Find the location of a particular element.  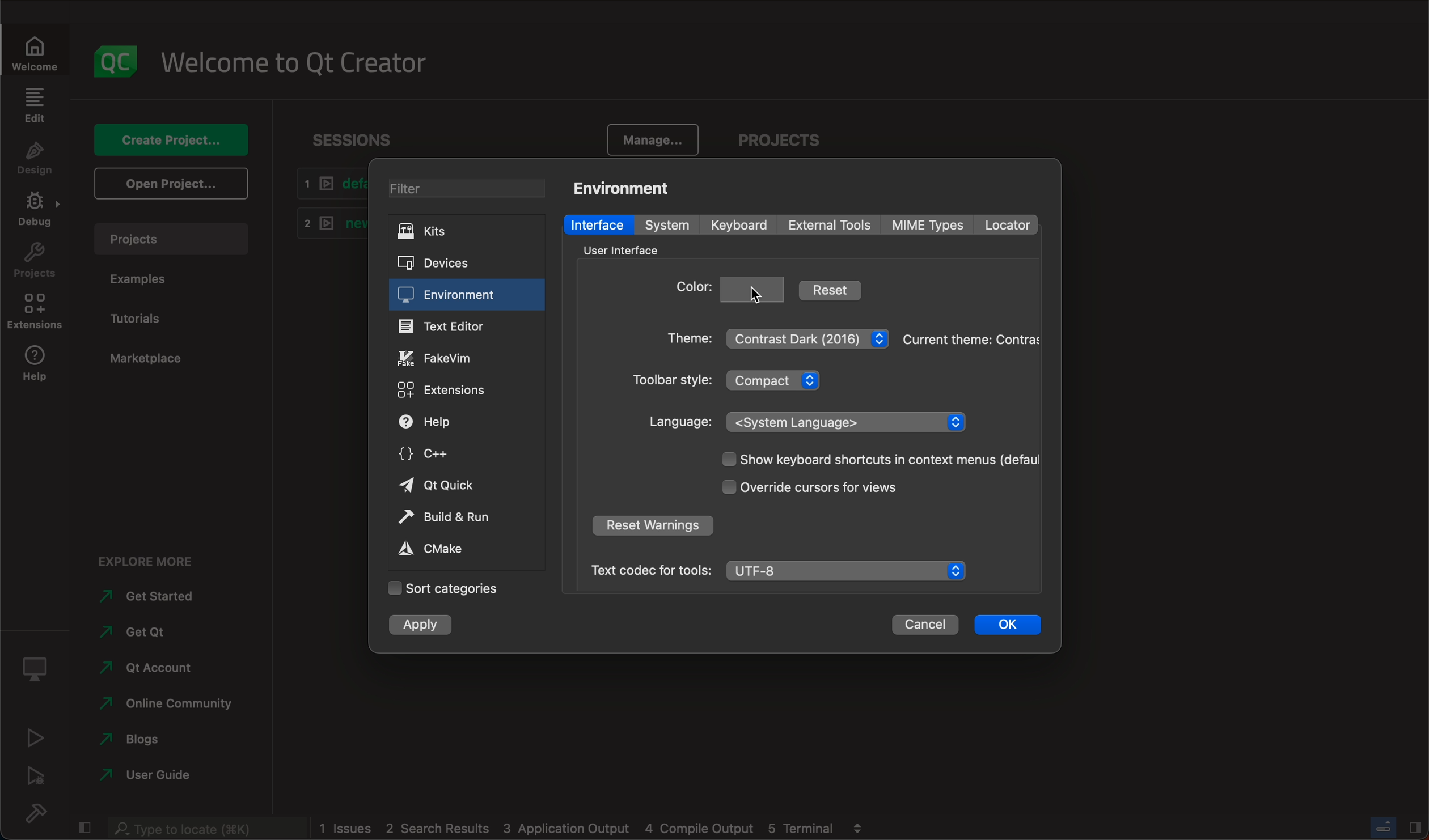

1 is located at coordinates (328, 184).